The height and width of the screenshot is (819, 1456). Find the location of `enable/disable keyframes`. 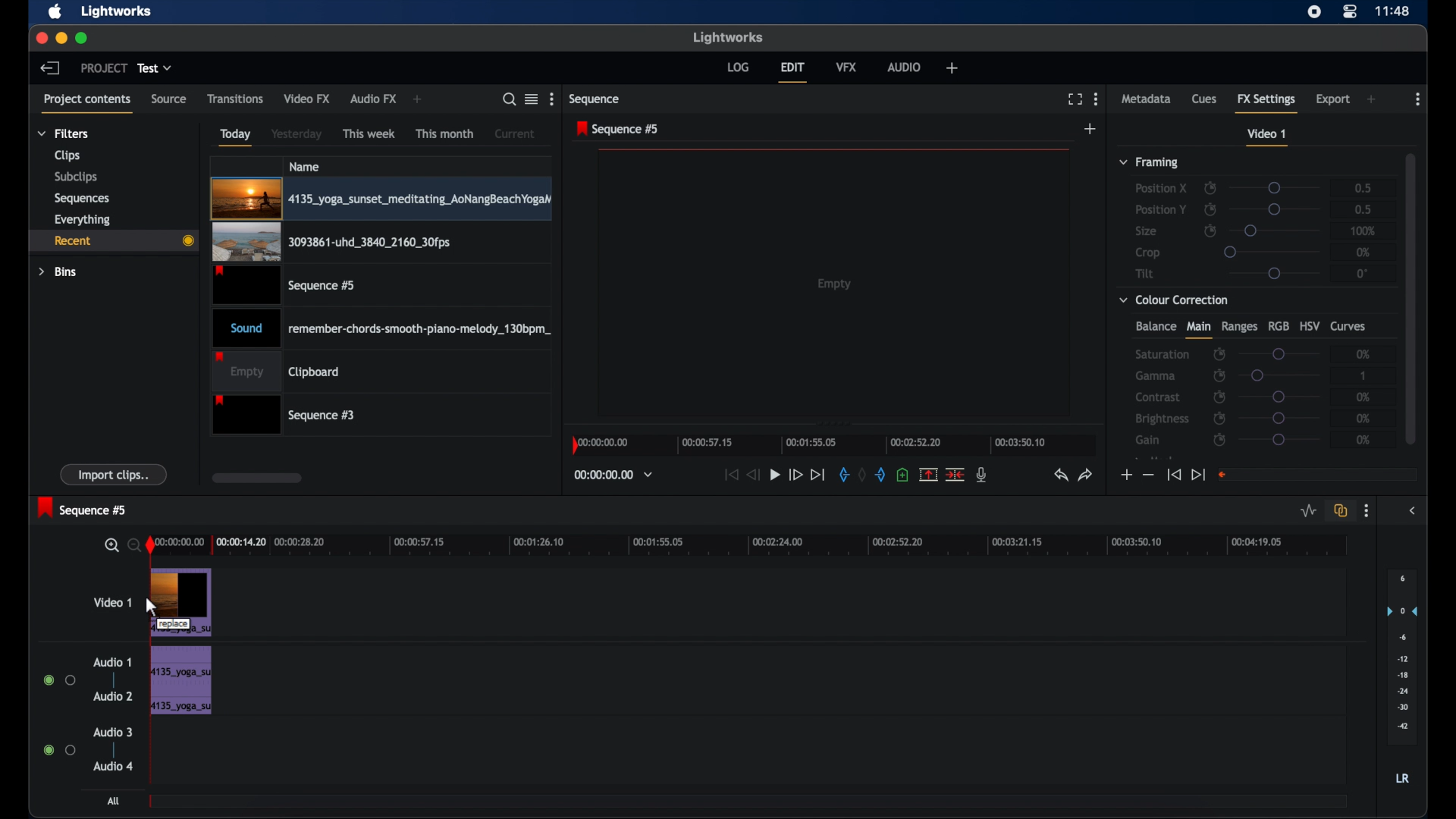

enable/disable keyframes is located at coordinates (1219, 440).